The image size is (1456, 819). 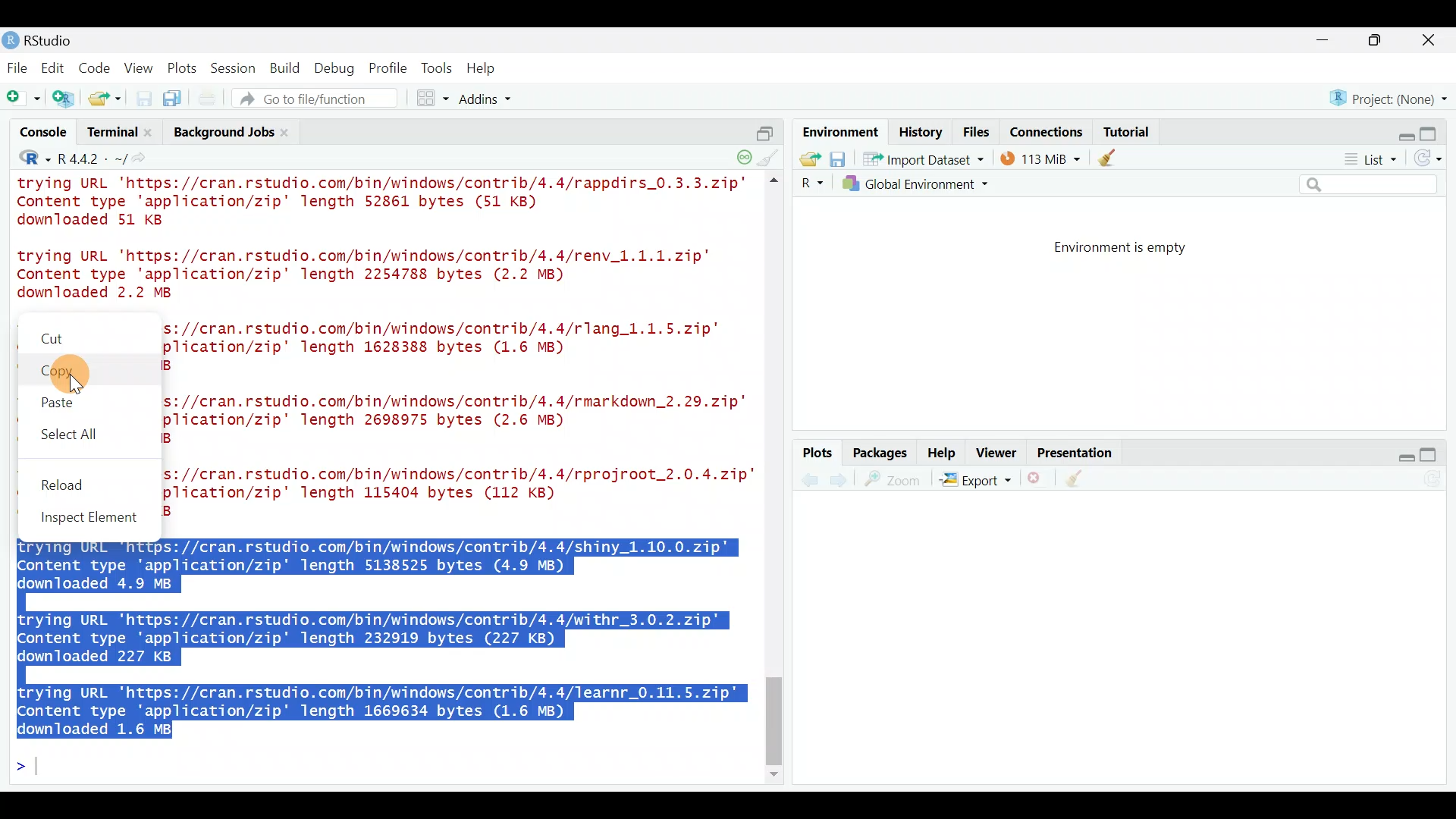 I want to click on Background jobs, so click(x=221, y=132).